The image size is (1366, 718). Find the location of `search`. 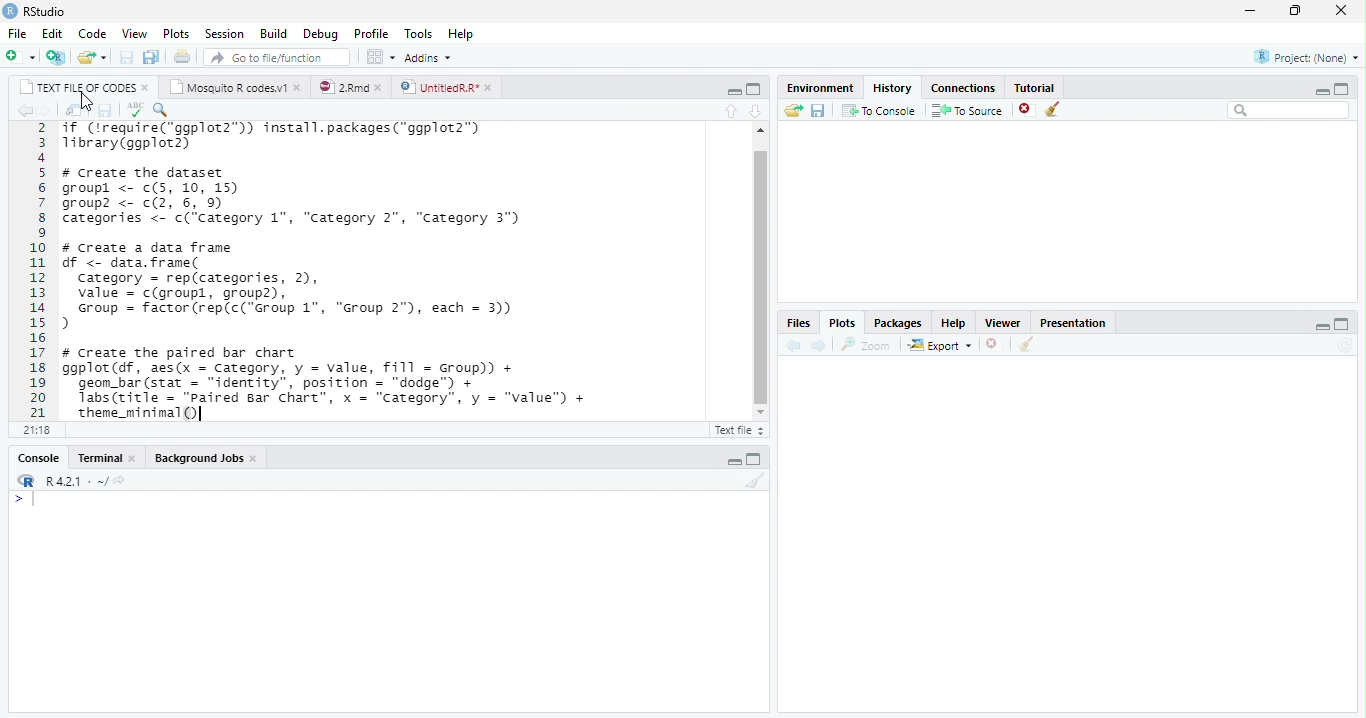

search is located at coordinates (1286, 111).